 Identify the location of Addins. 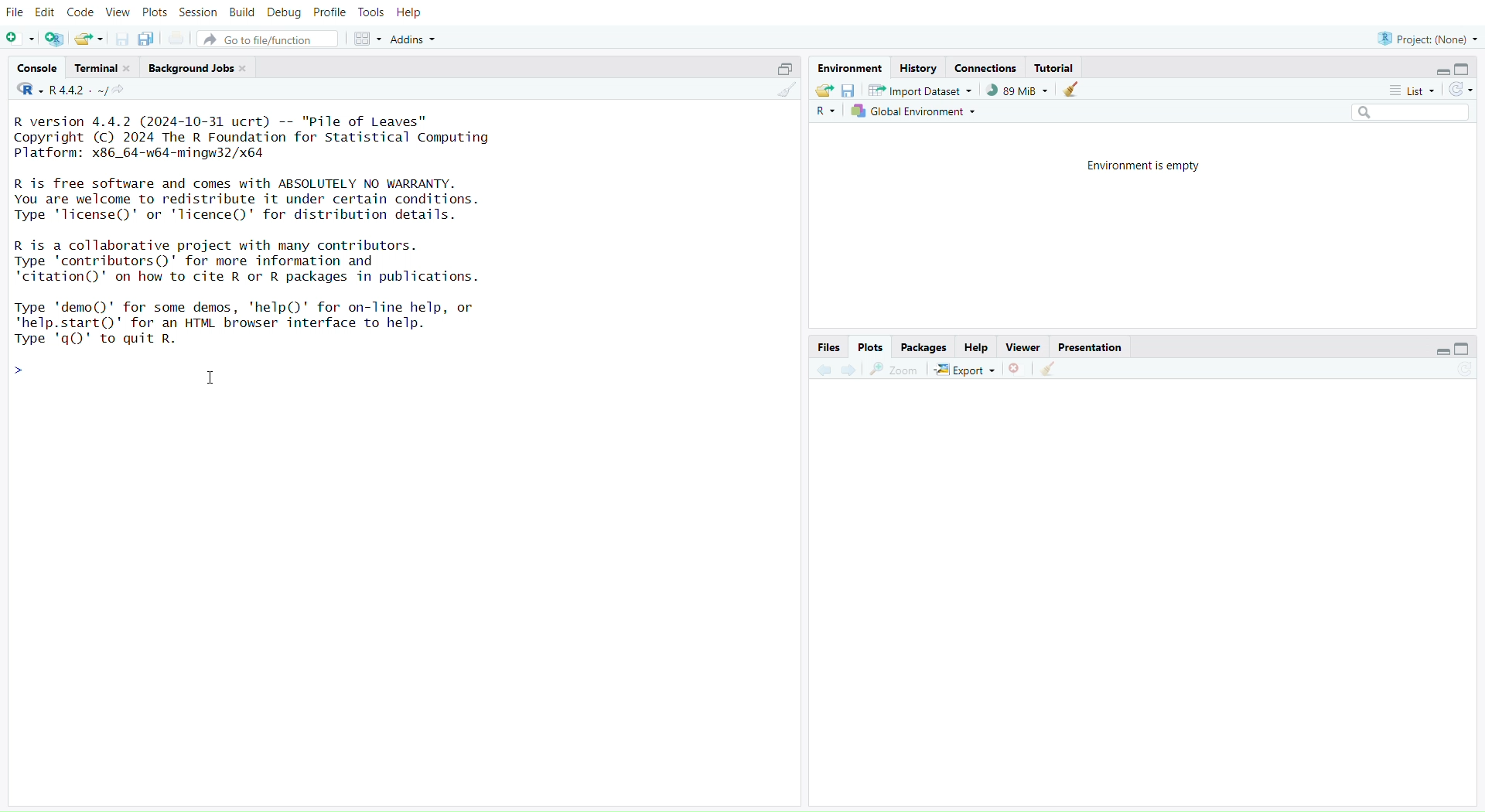
(413, 39).